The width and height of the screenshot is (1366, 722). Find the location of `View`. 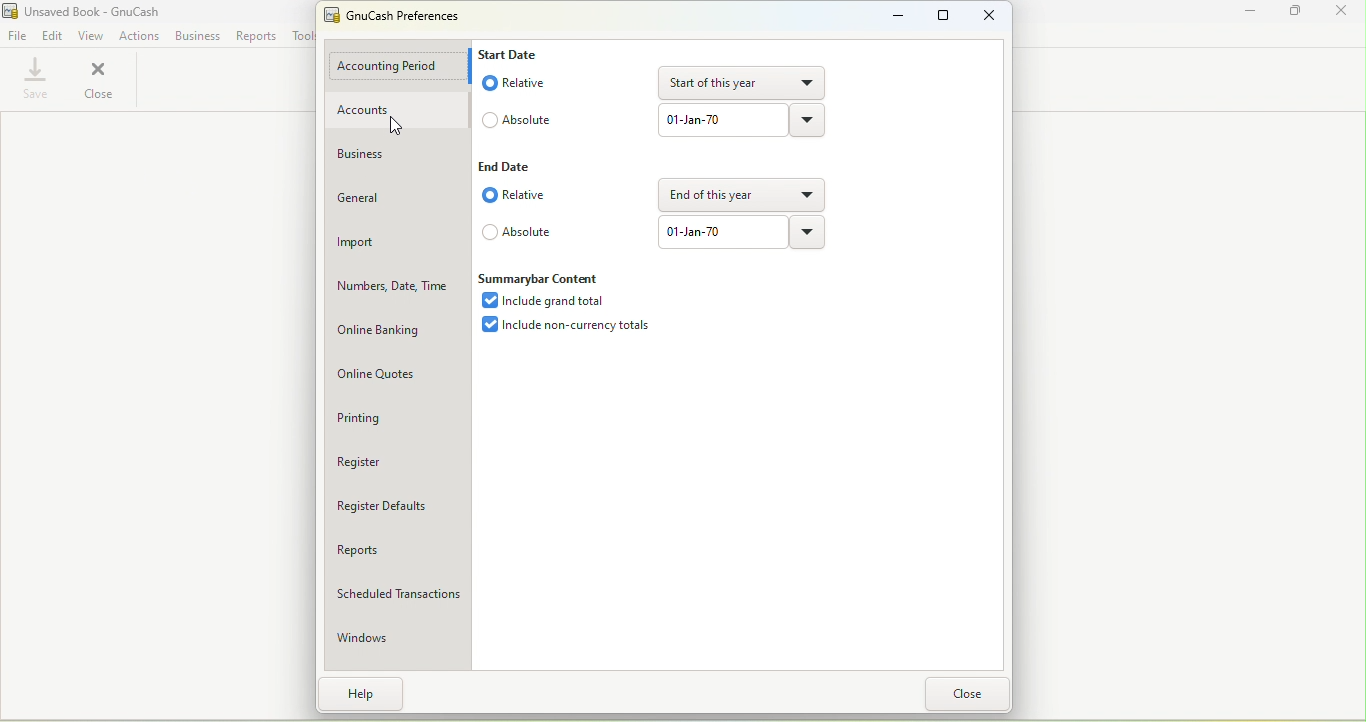

View is located at coordinates (92, 34).